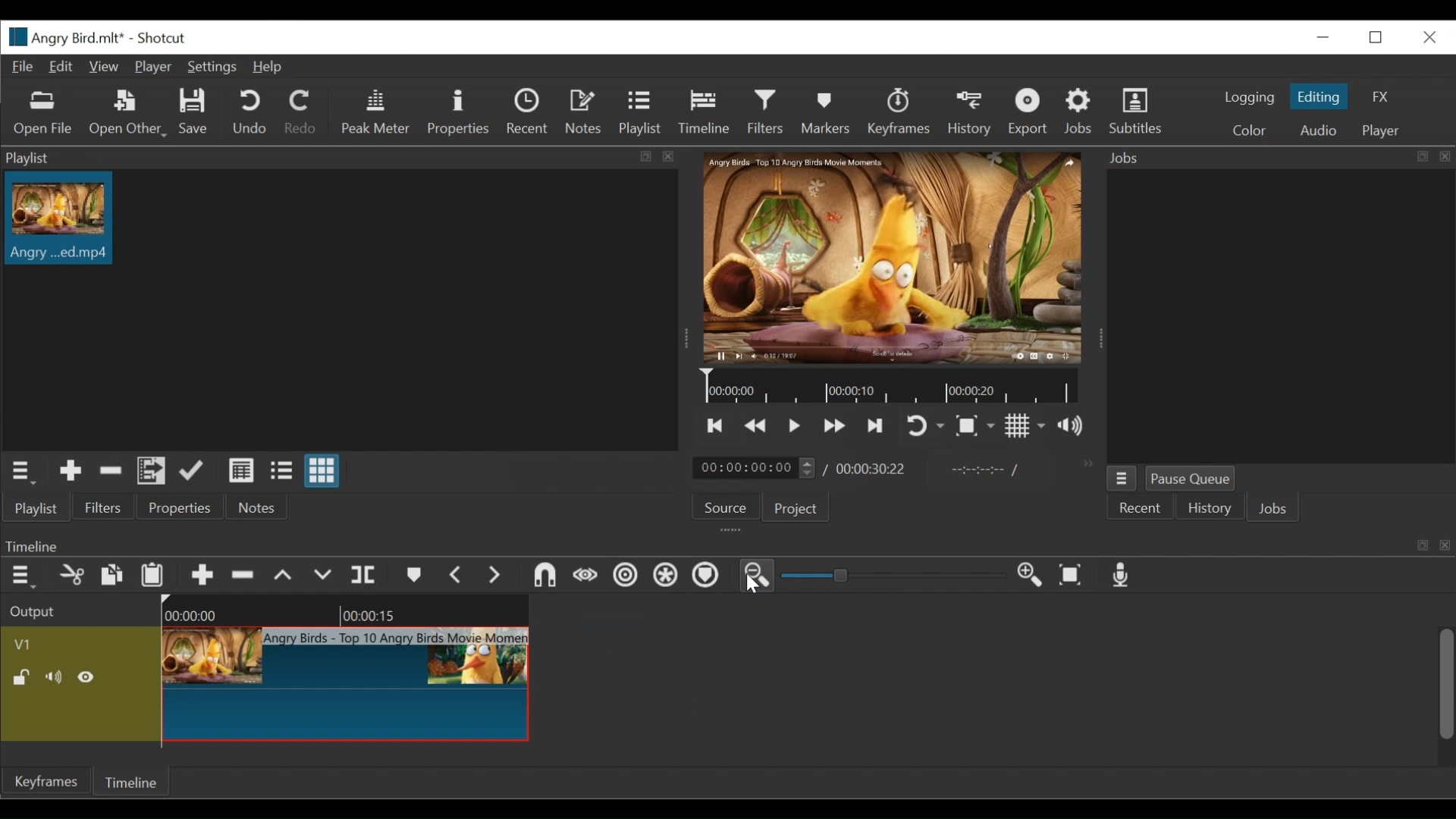 This screenshot has height=819, width=1456. What do you see at coordinates (367, 573) in the screenshot?
I see `split` at bounding box center [367, 573].